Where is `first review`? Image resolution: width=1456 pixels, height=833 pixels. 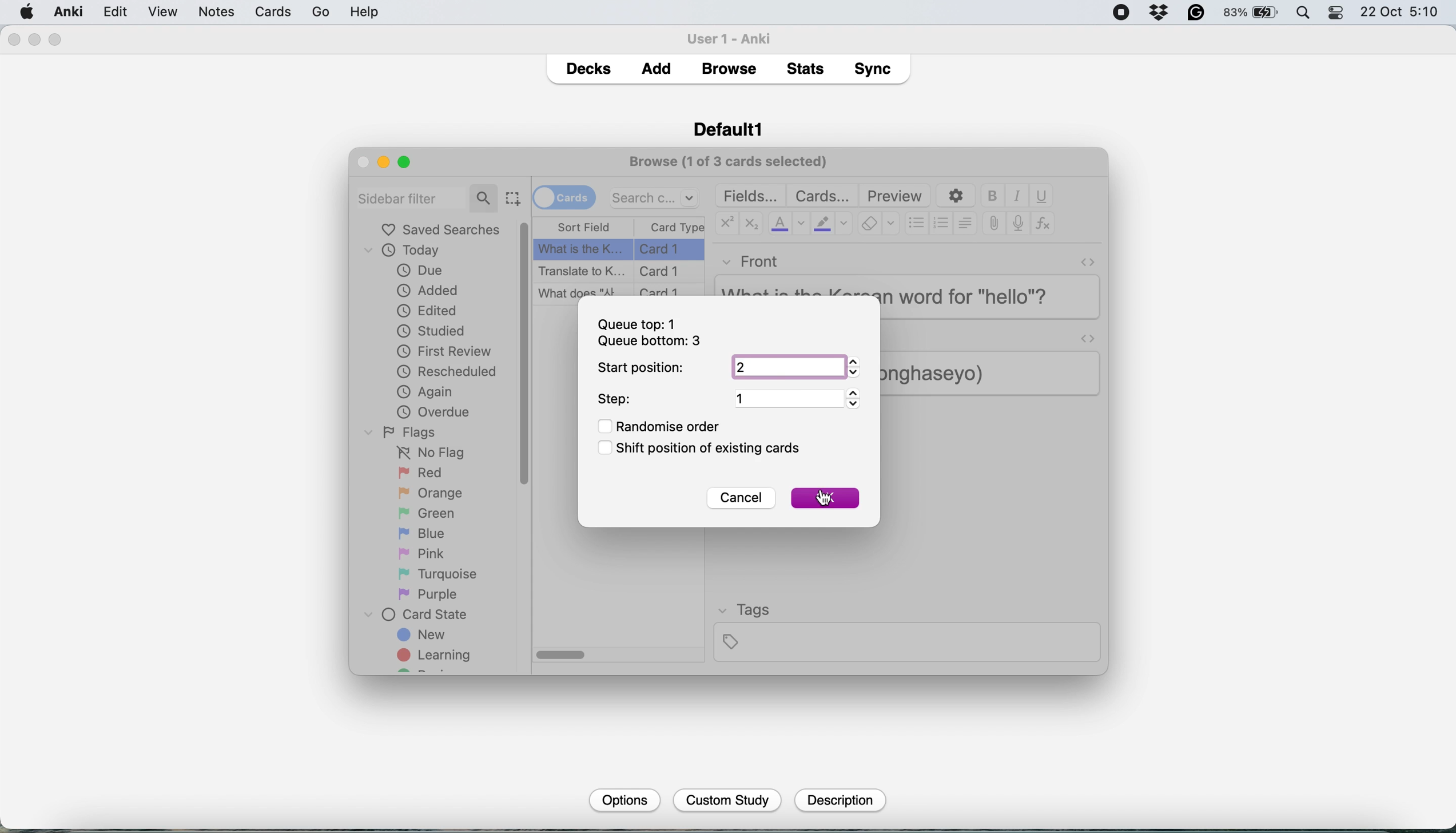
first review is located at coordinates (444, 353).